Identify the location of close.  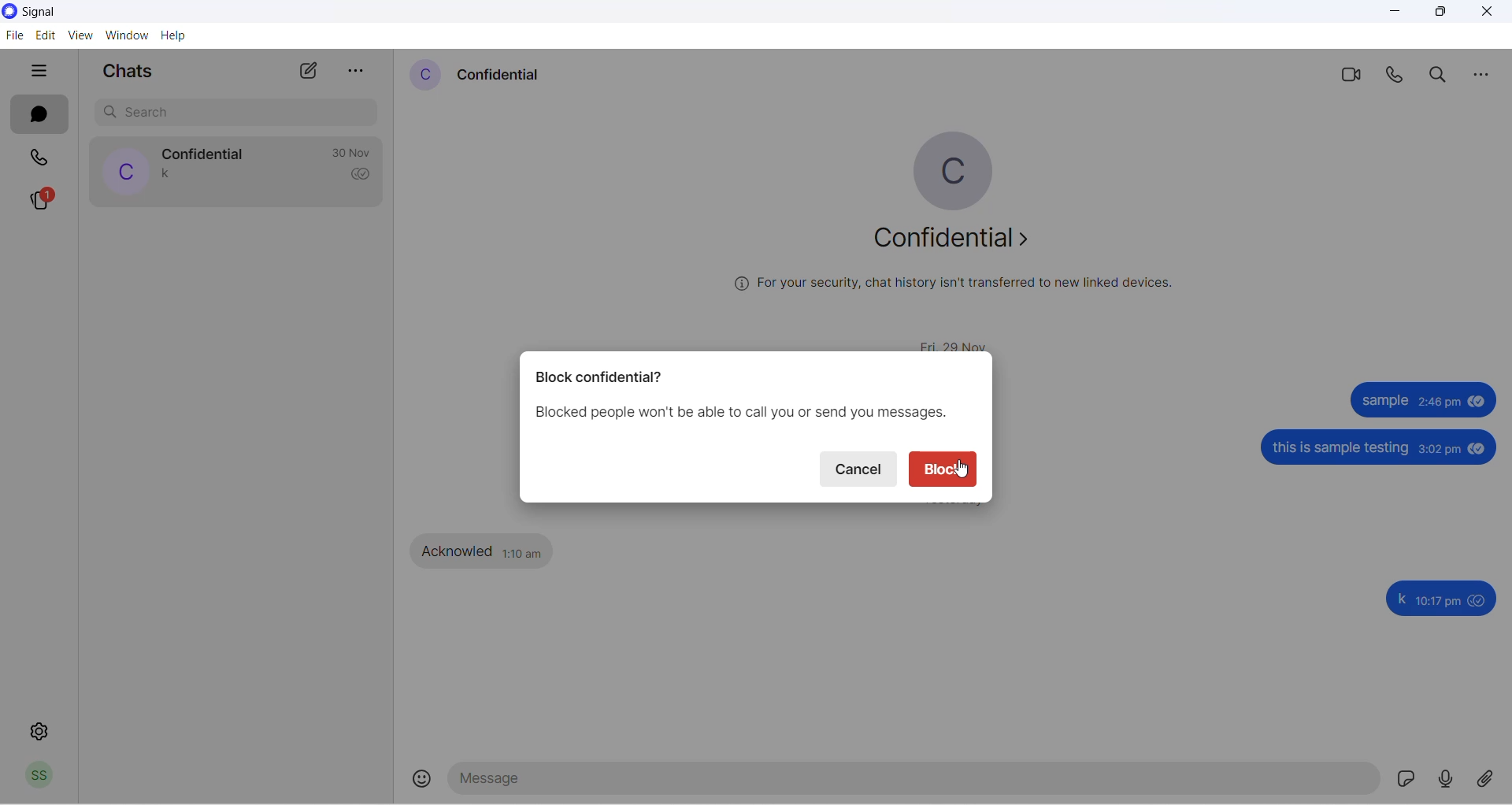
(1492, 13).